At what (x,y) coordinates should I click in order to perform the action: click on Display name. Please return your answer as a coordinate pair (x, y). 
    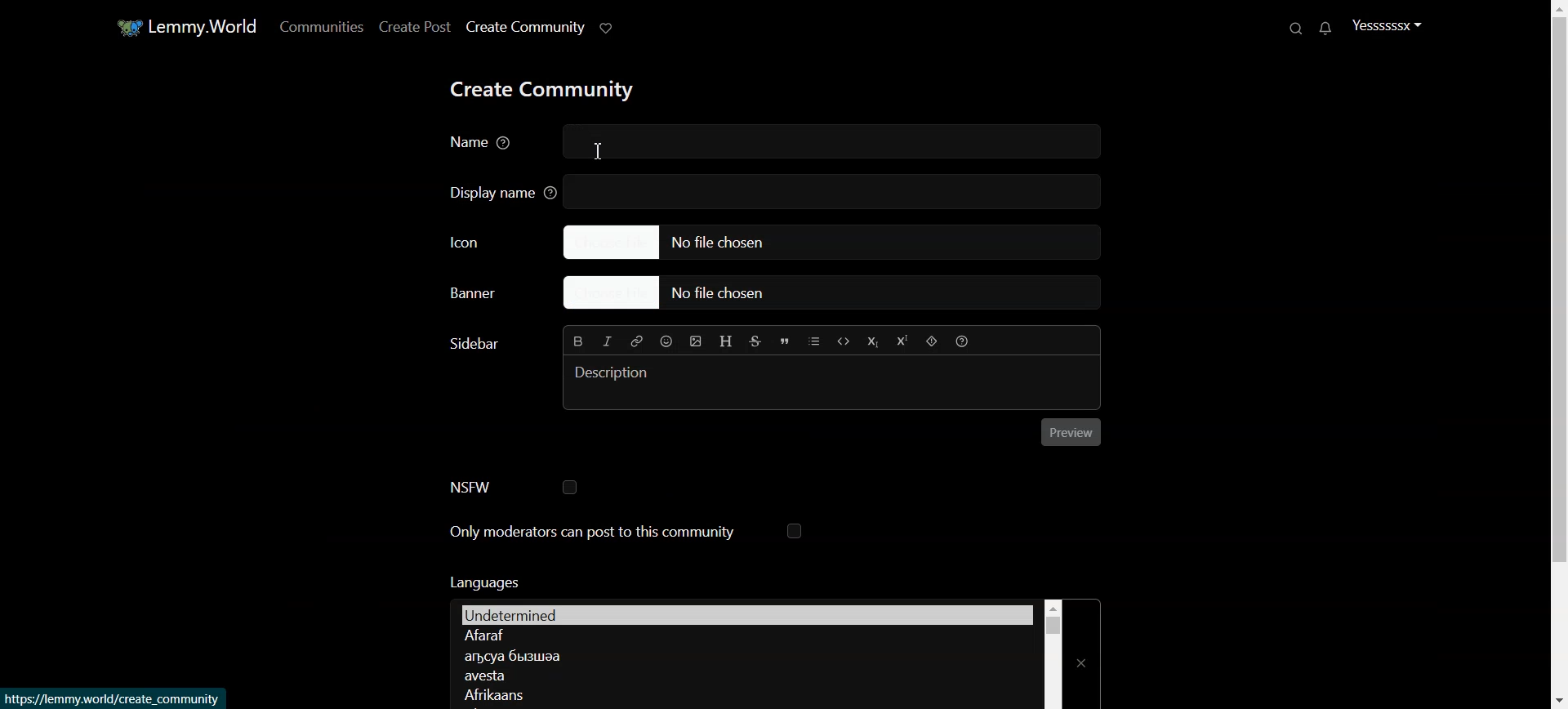
    Looking at the image, I should click on (493, 195).